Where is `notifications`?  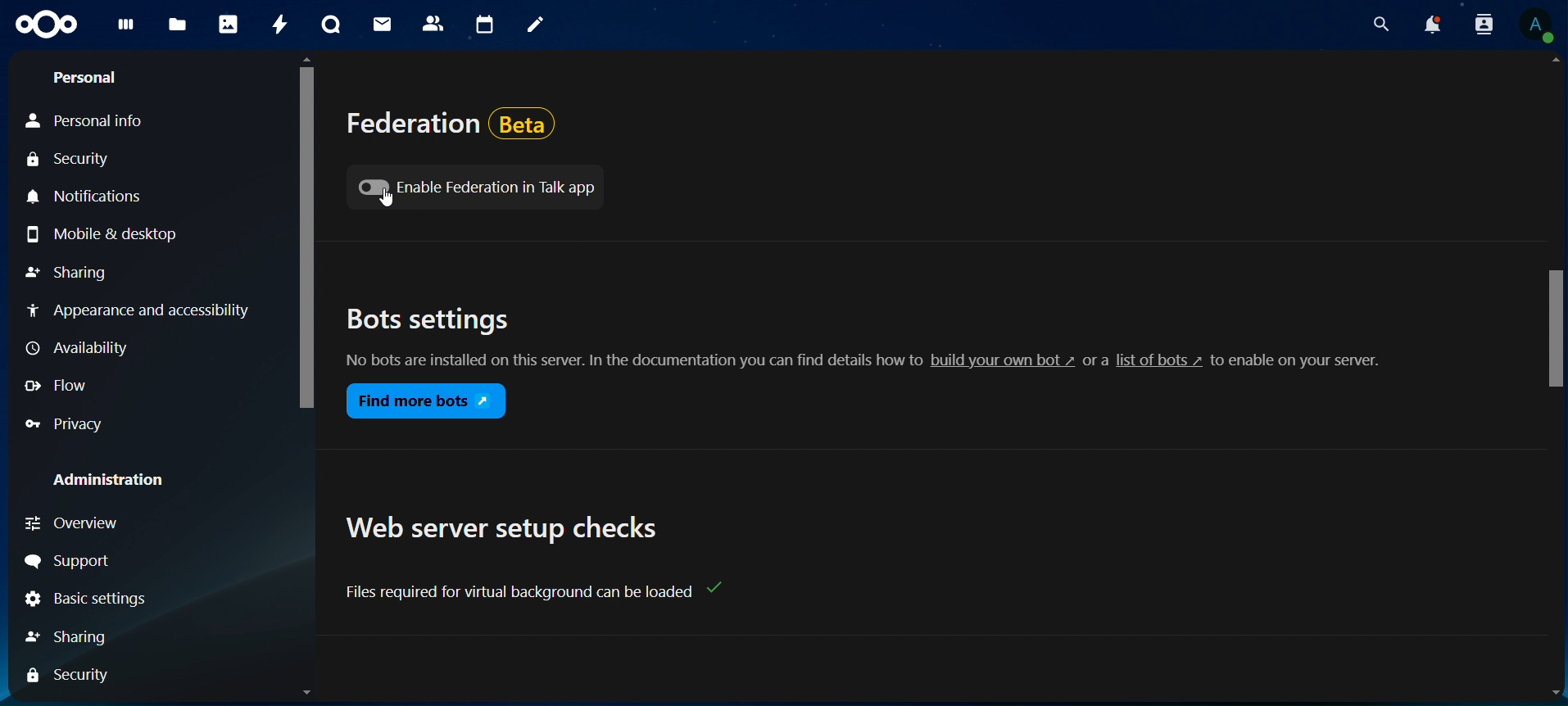 notifications is located at coordinates (1433, 25).